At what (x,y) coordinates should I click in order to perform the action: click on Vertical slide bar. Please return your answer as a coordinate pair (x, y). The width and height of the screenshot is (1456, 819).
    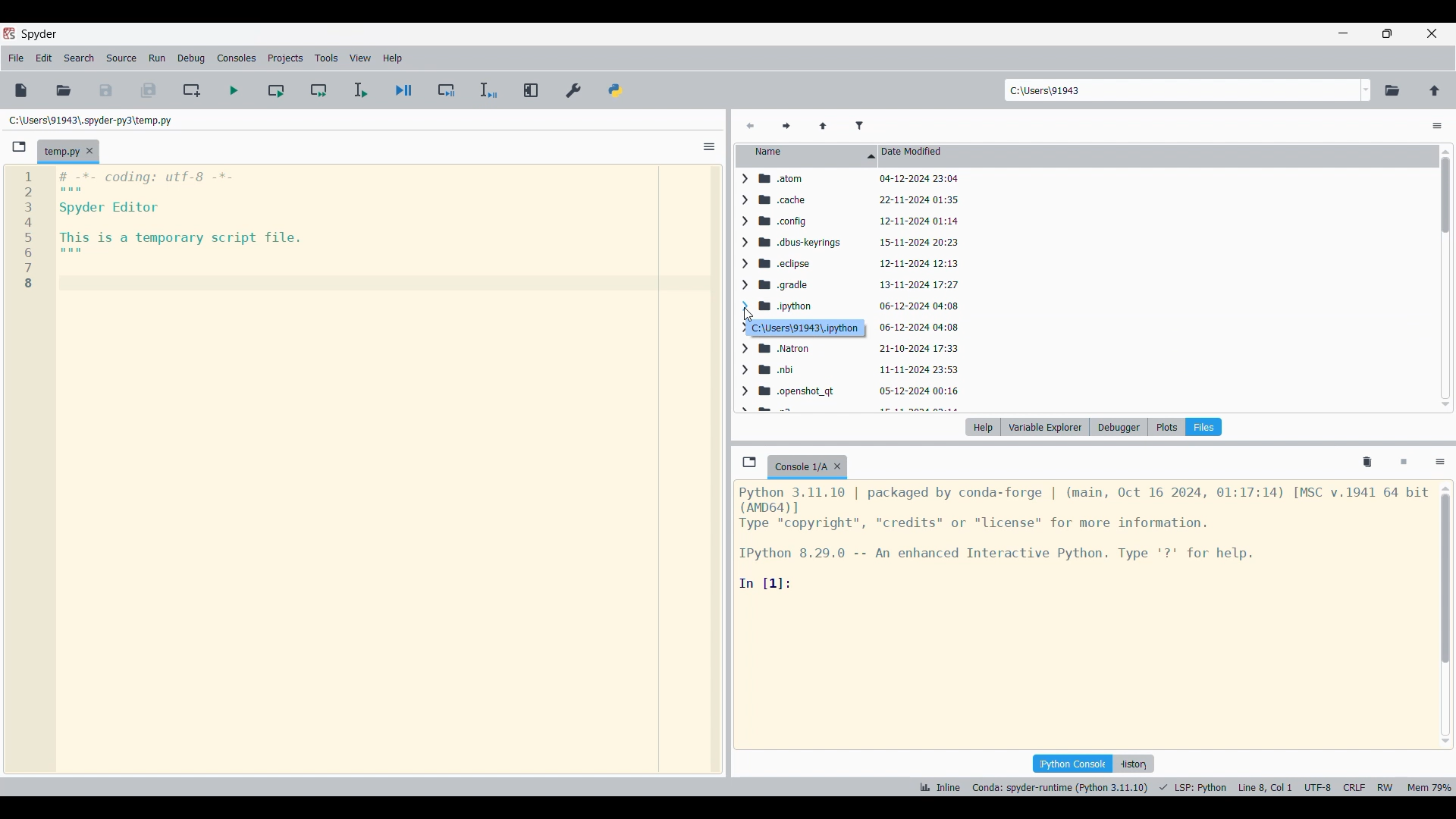
    Looking at the image, I should click on (1445, 278).